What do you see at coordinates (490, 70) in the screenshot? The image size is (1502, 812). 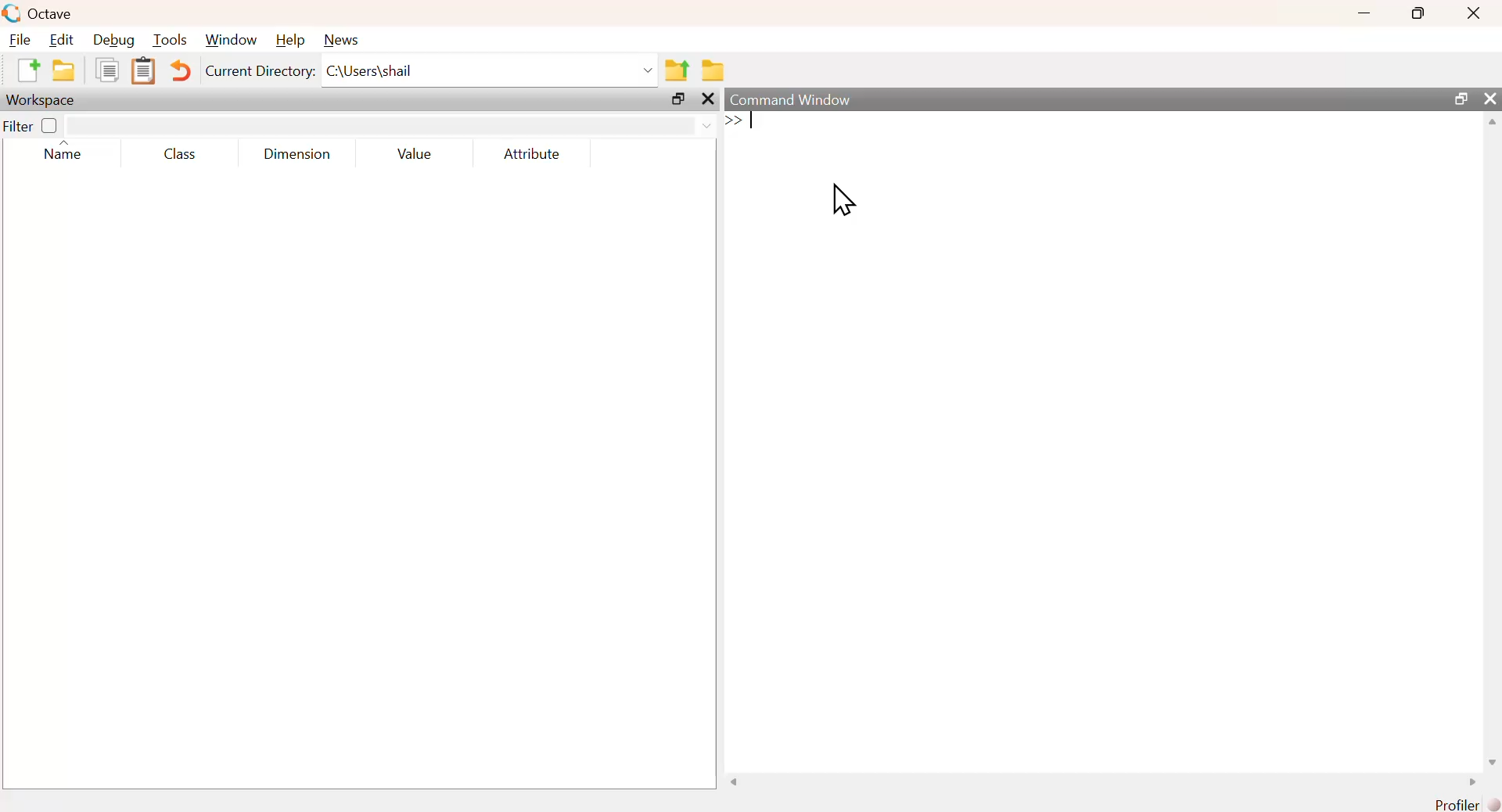 I see `C:\Users\shail ` at bounding box center [490, 70].